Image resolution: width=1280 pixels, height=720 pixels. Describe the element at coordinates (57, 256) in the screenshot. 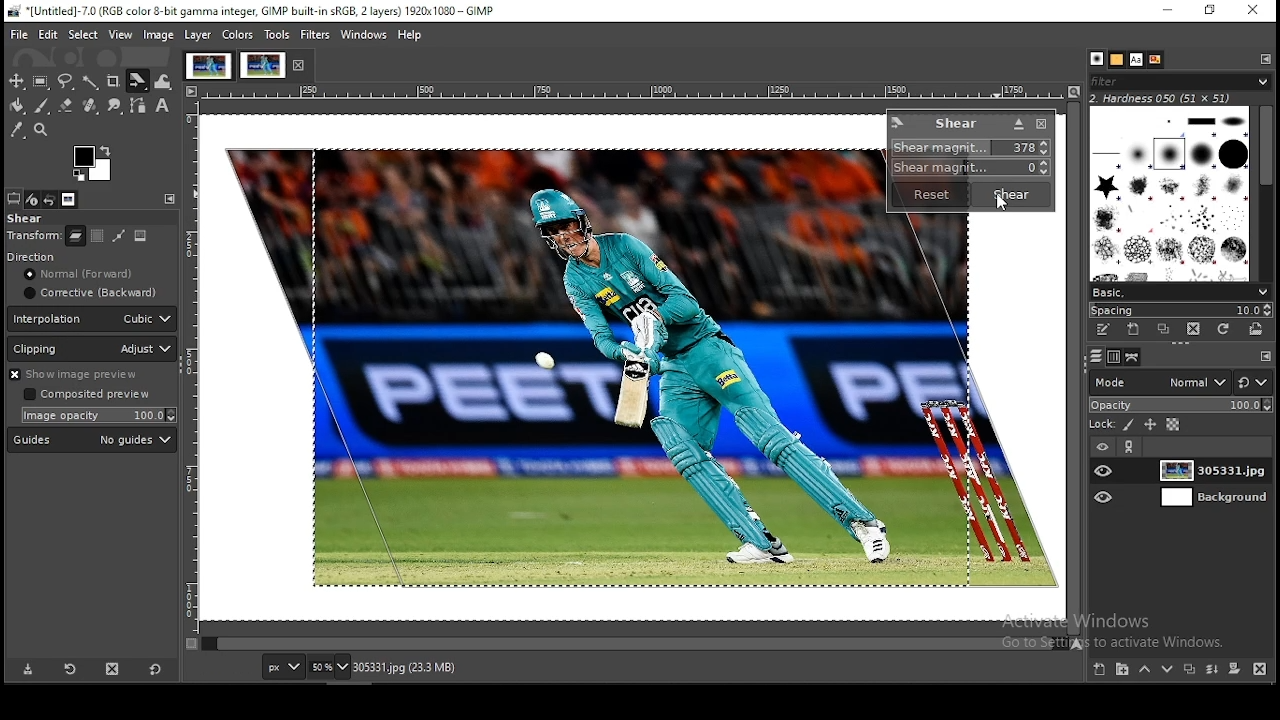

I see `direction` at that location.